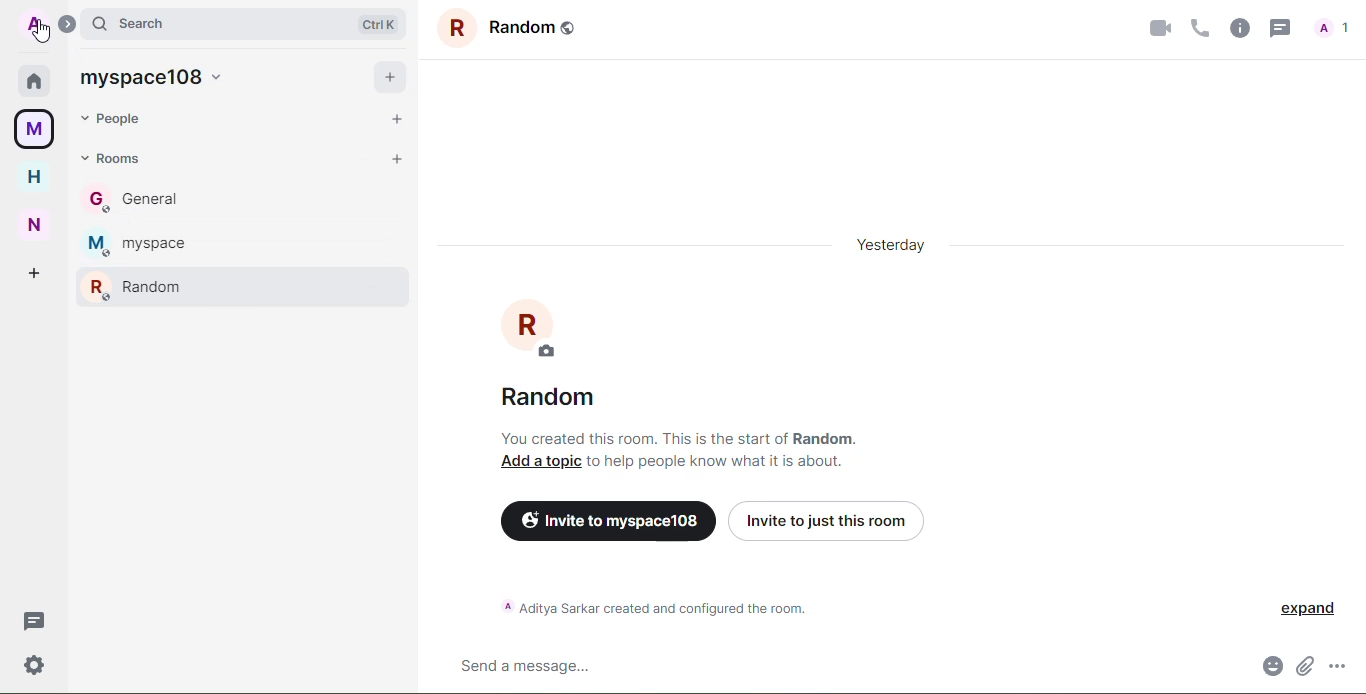 This screenshot has height=694, width=1366. I want to click on threads, so click(1278, 25).